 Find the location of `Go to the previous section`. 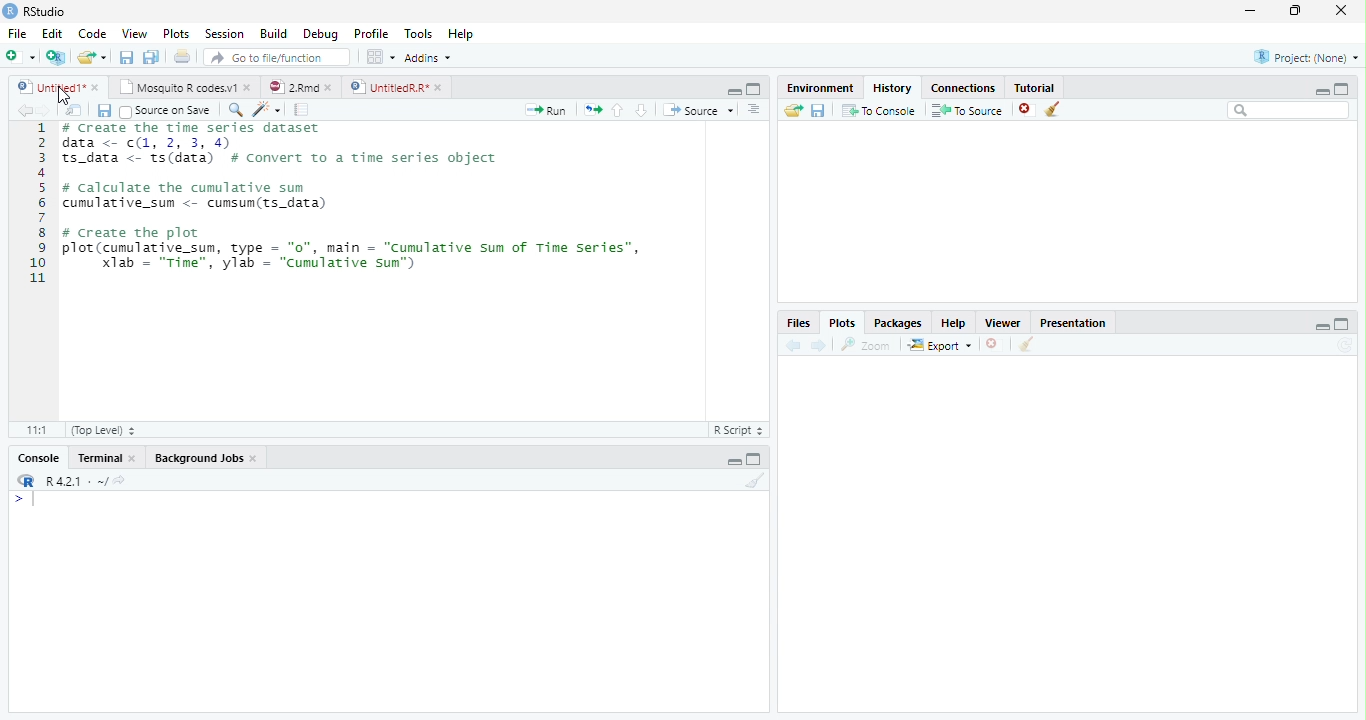

Go to the previous section is located at coordinates (617, 111).